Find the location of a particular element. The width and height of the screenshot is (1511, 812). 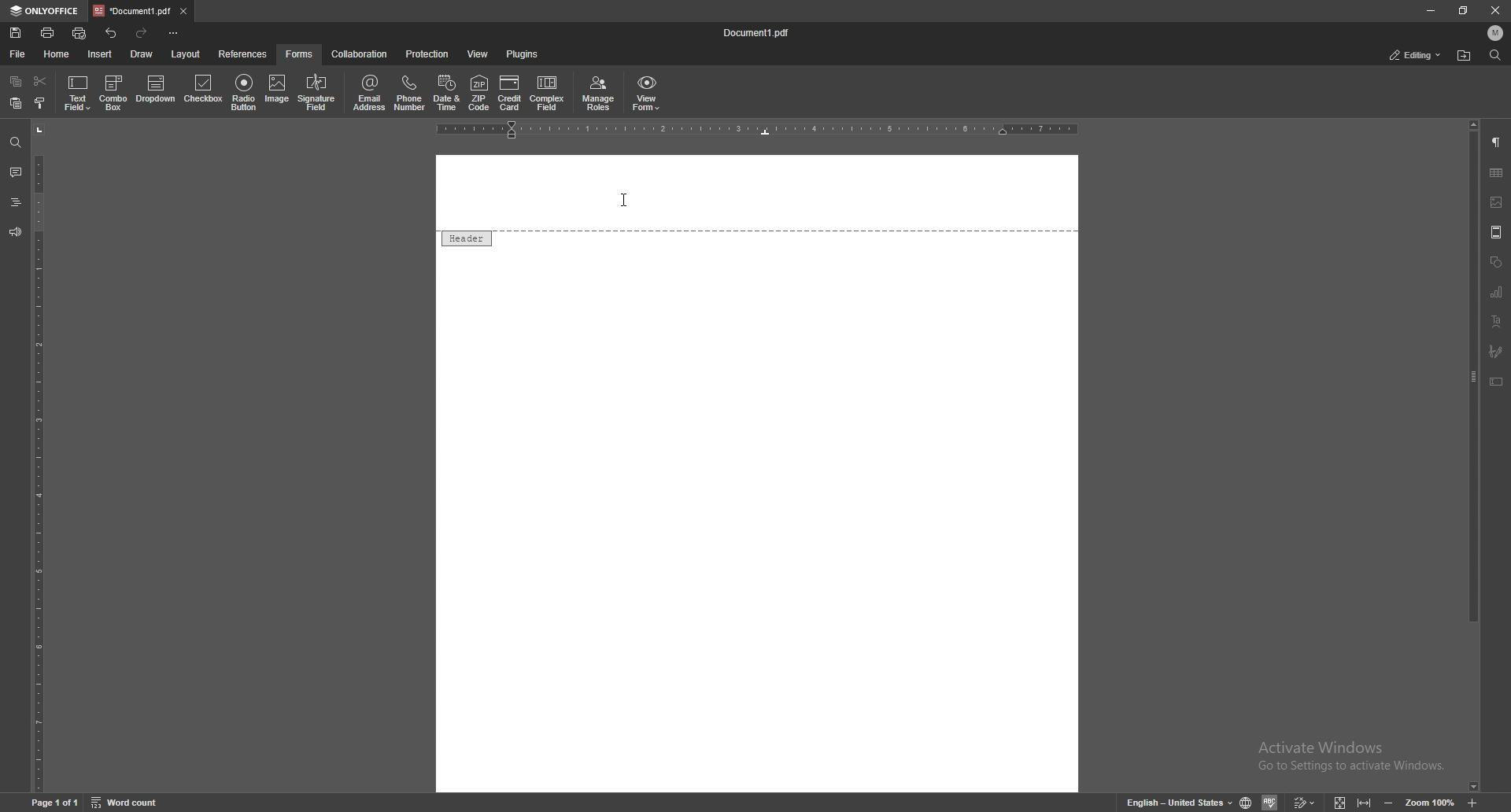

header is located at coordinates (465, 238).